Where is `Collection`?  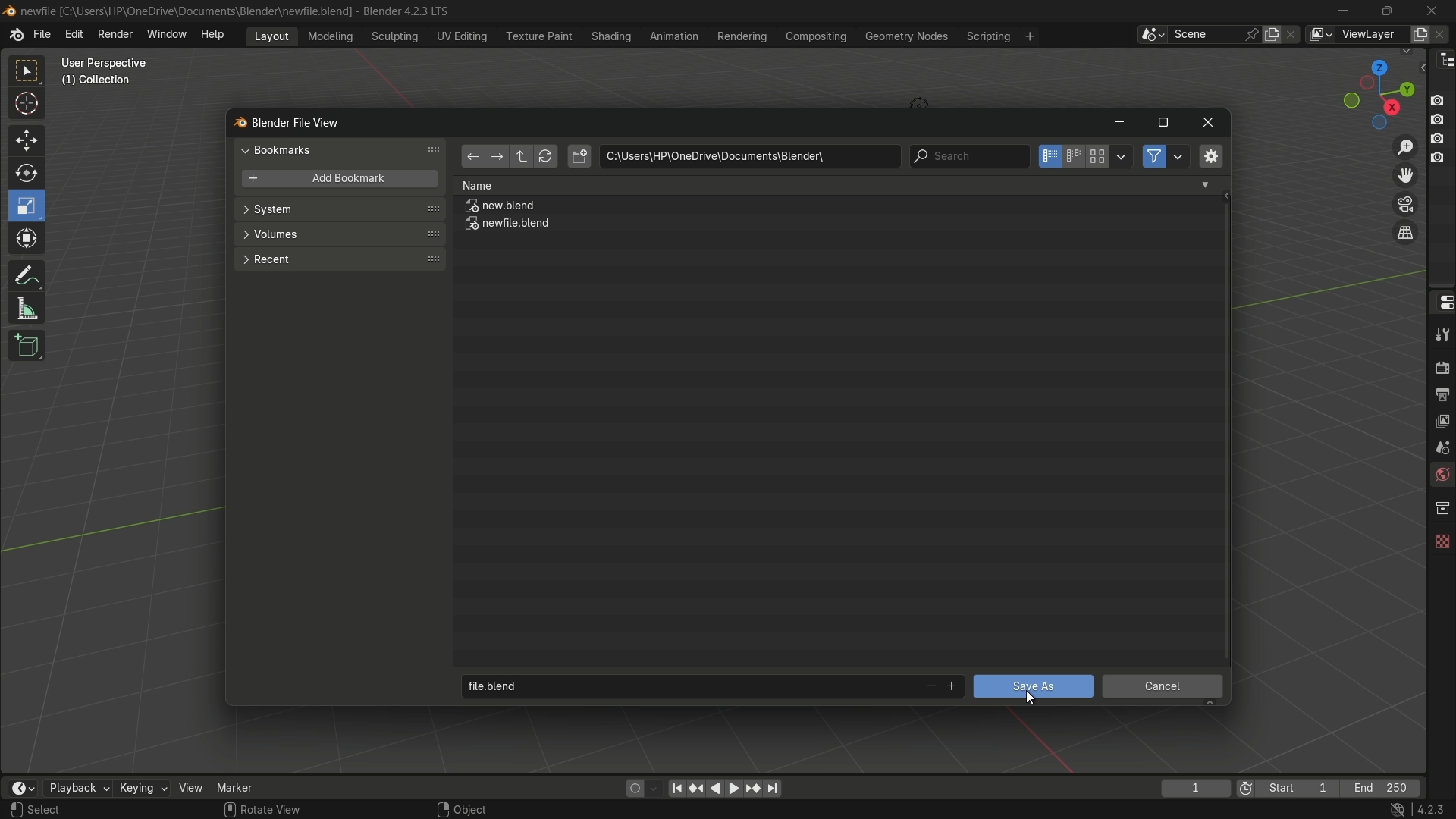 Collection is located at coordinates (99, 83).